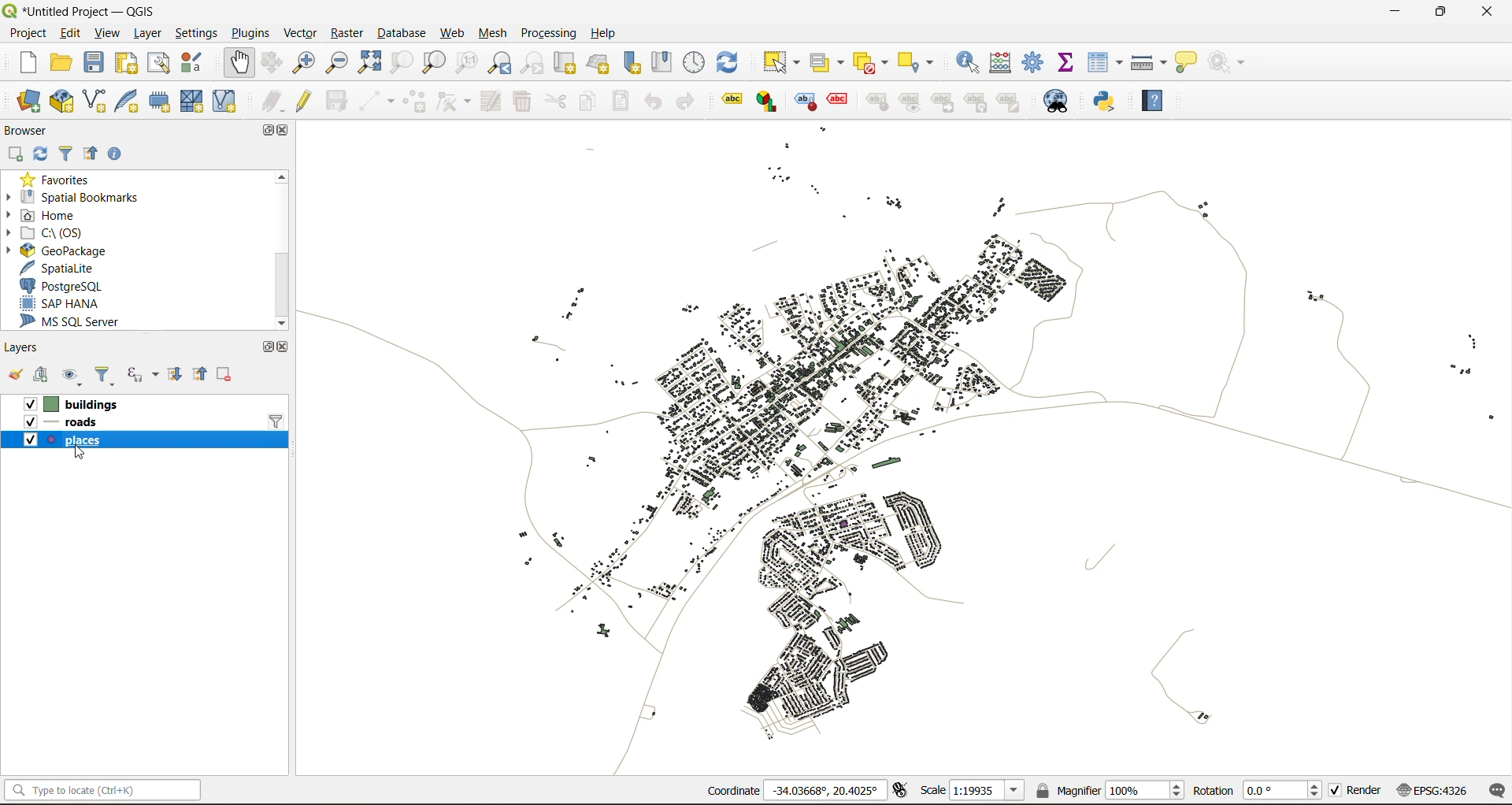 The height and width of the screenshot is (805, 1512). I want to click on database, so click(406, 32).